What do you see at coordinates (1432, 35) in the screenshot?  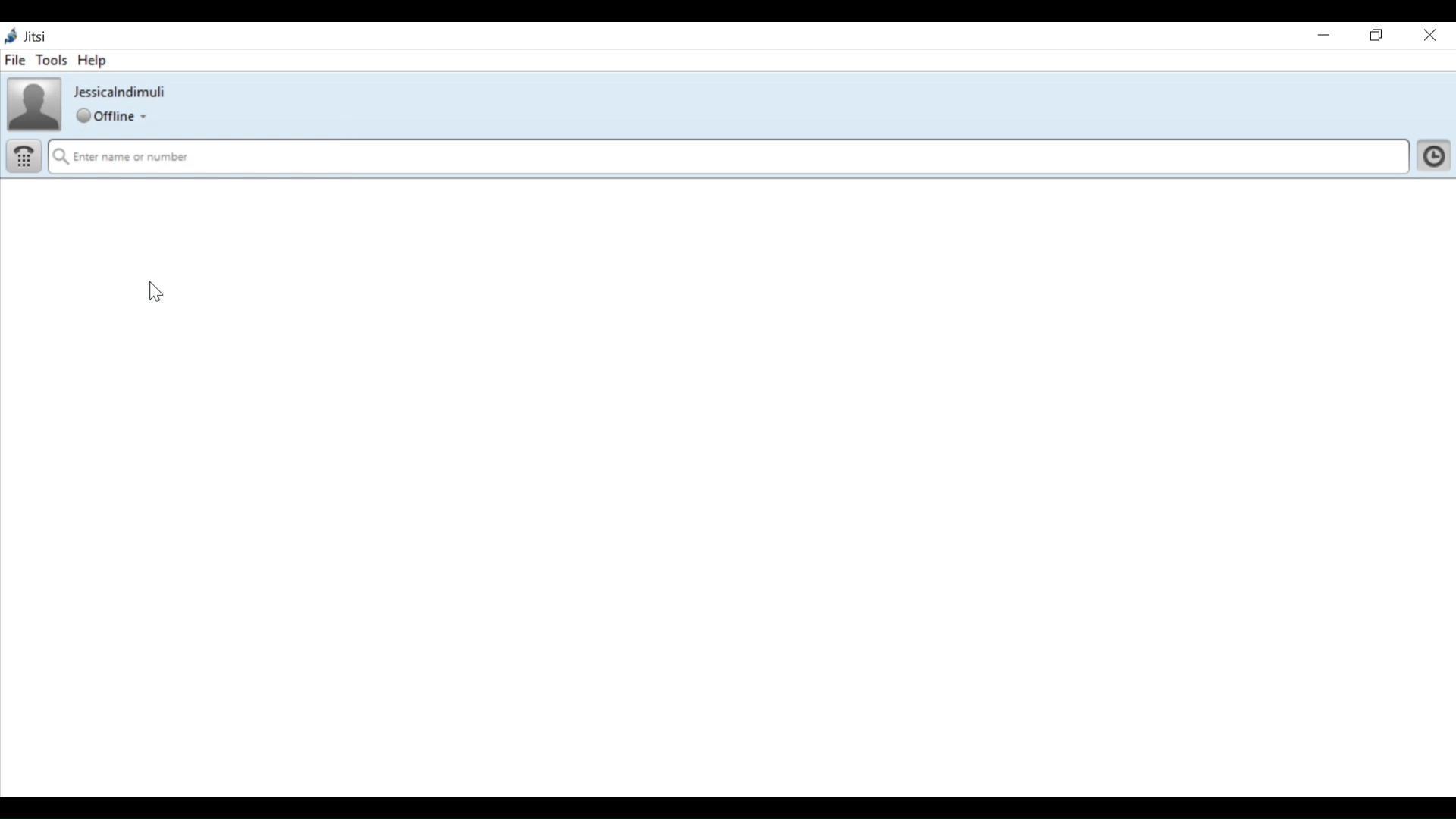 I see `Close` at bounding box center [1432, 35].